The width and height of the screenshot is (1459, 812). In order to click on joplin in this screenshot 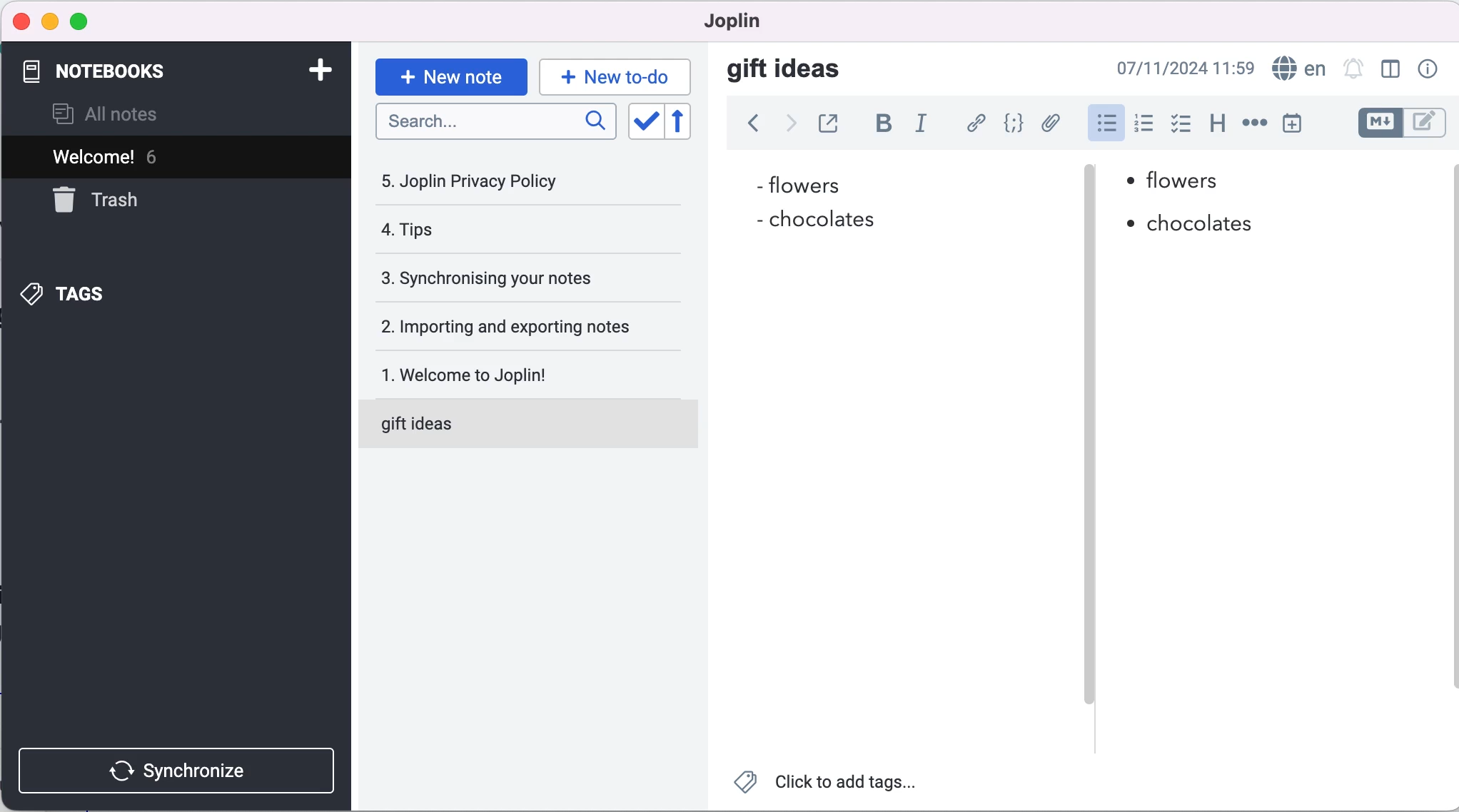, I will do `click(732, 21)`.